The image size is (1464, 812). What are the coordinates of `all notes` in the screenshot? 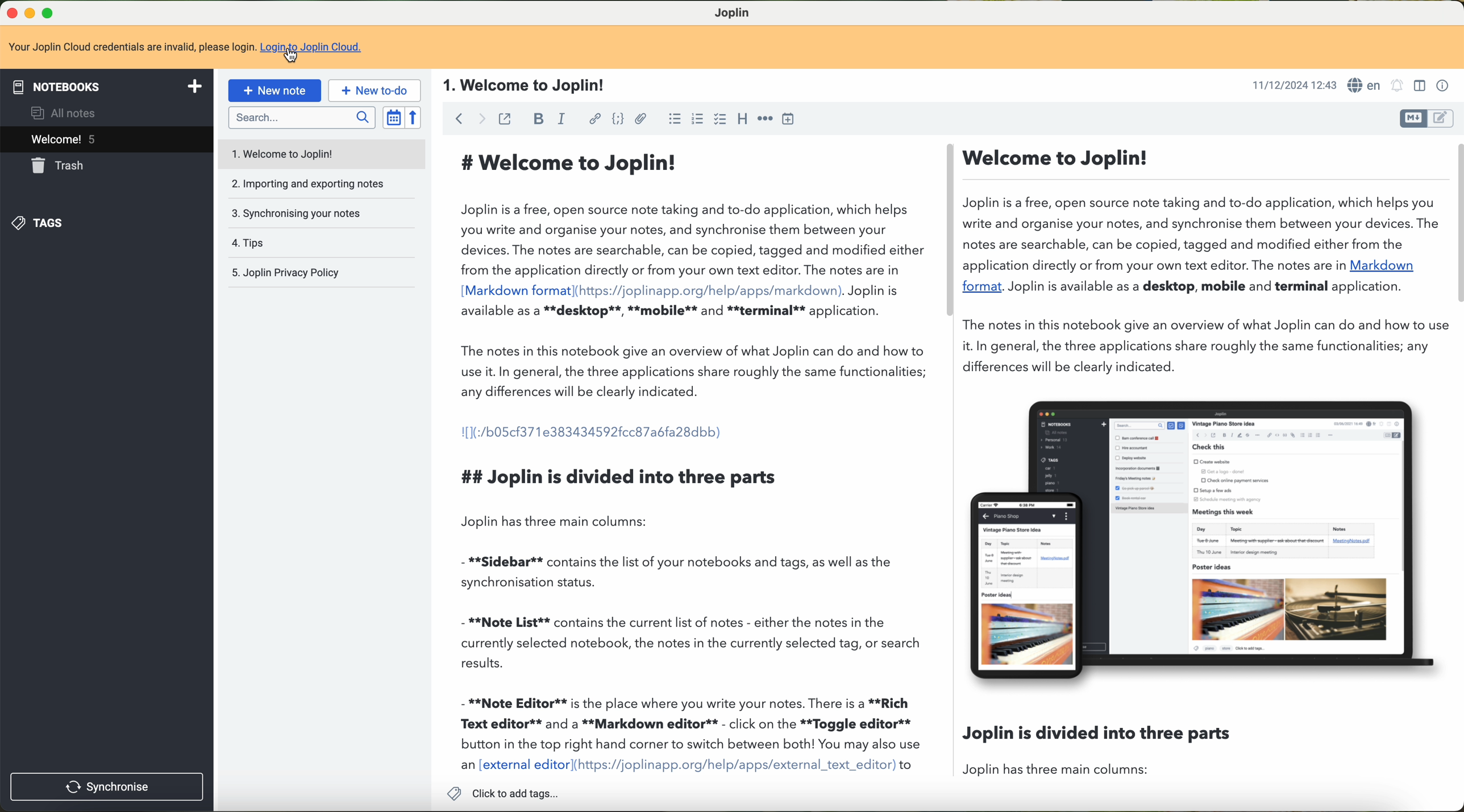 It's located at (63, 111).